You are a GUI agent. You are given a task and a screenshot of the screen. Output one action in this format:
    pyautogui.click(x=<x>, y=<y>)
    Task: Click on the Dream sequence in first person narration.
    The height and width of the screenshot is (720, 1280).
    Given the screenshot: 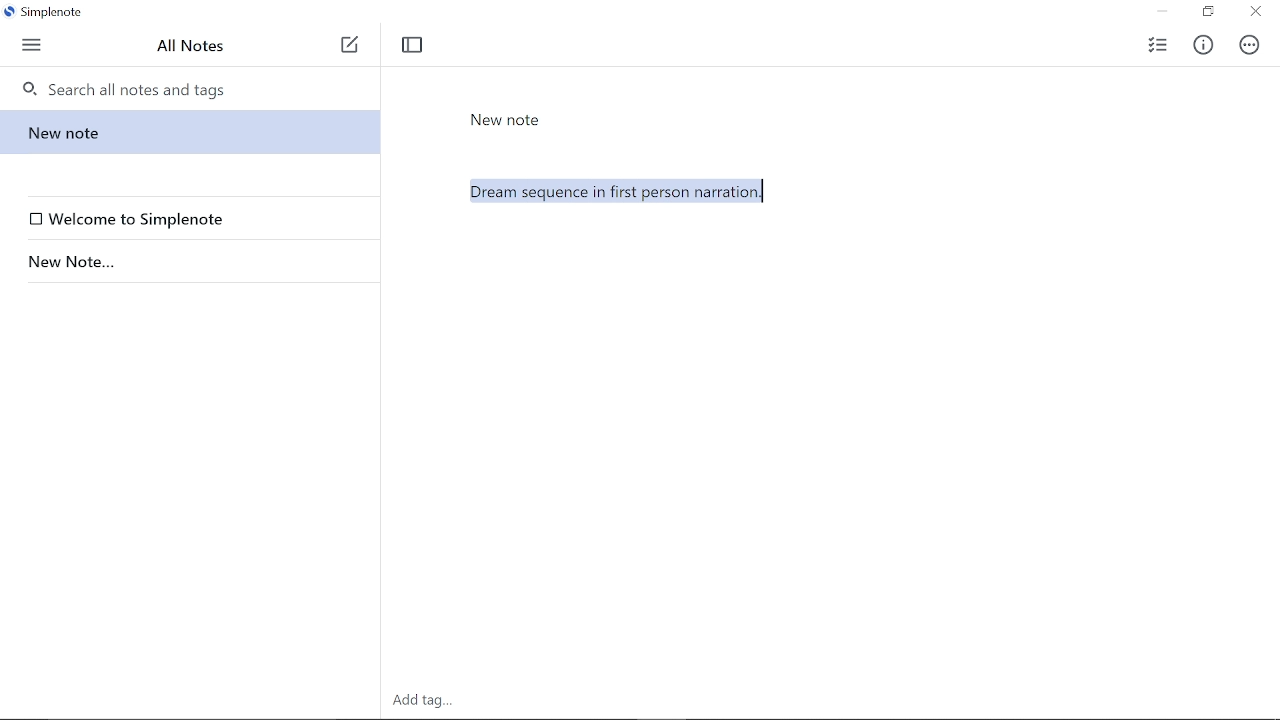 What is the action you would take?
    pyautogui.click(x=839, y=338)
    